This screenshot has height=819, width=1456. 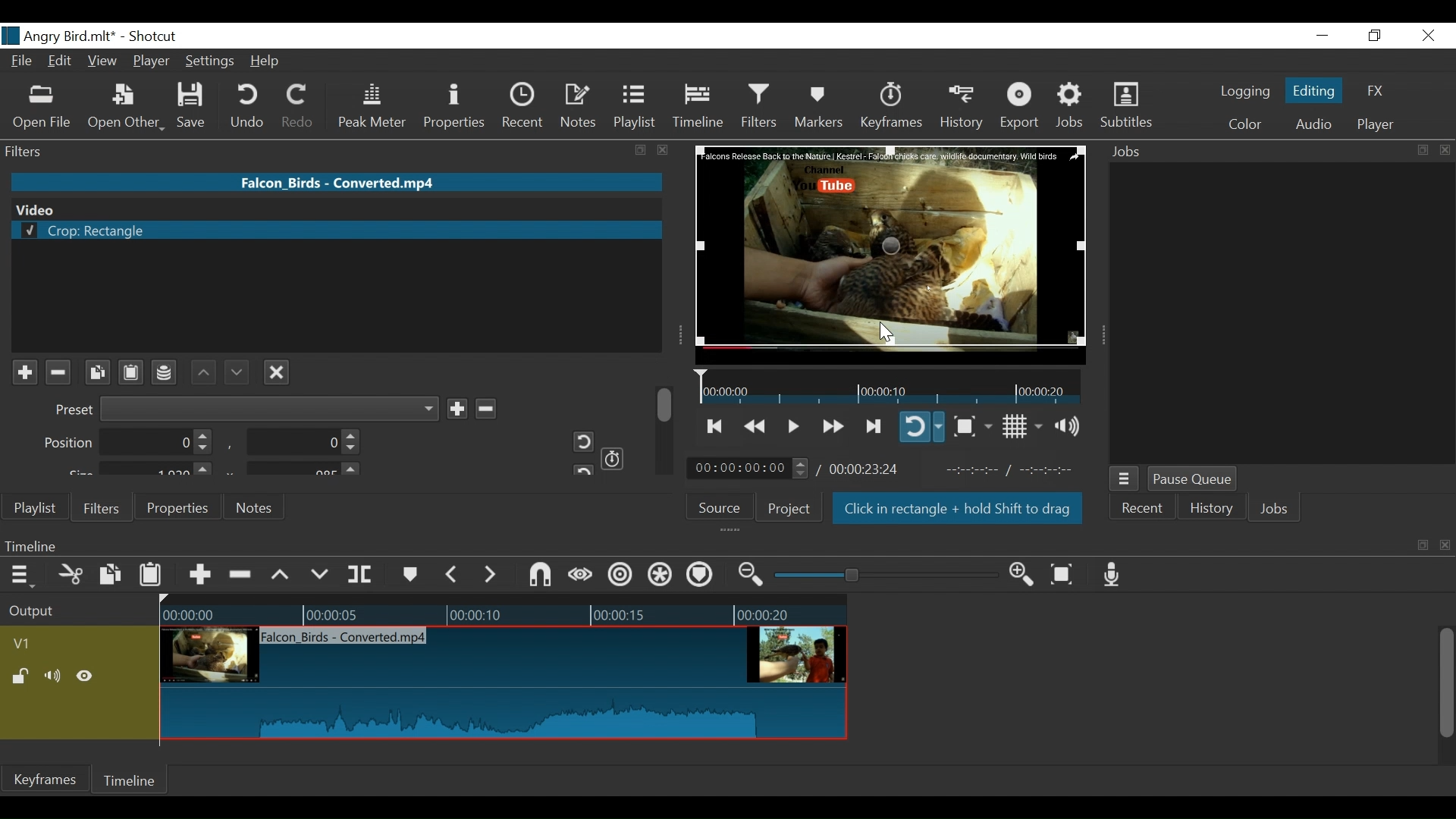 What do you see at coordinates (1122, 480) in the screenshot?
I see `Jobs Menu` at bounding box center [1122, 480].